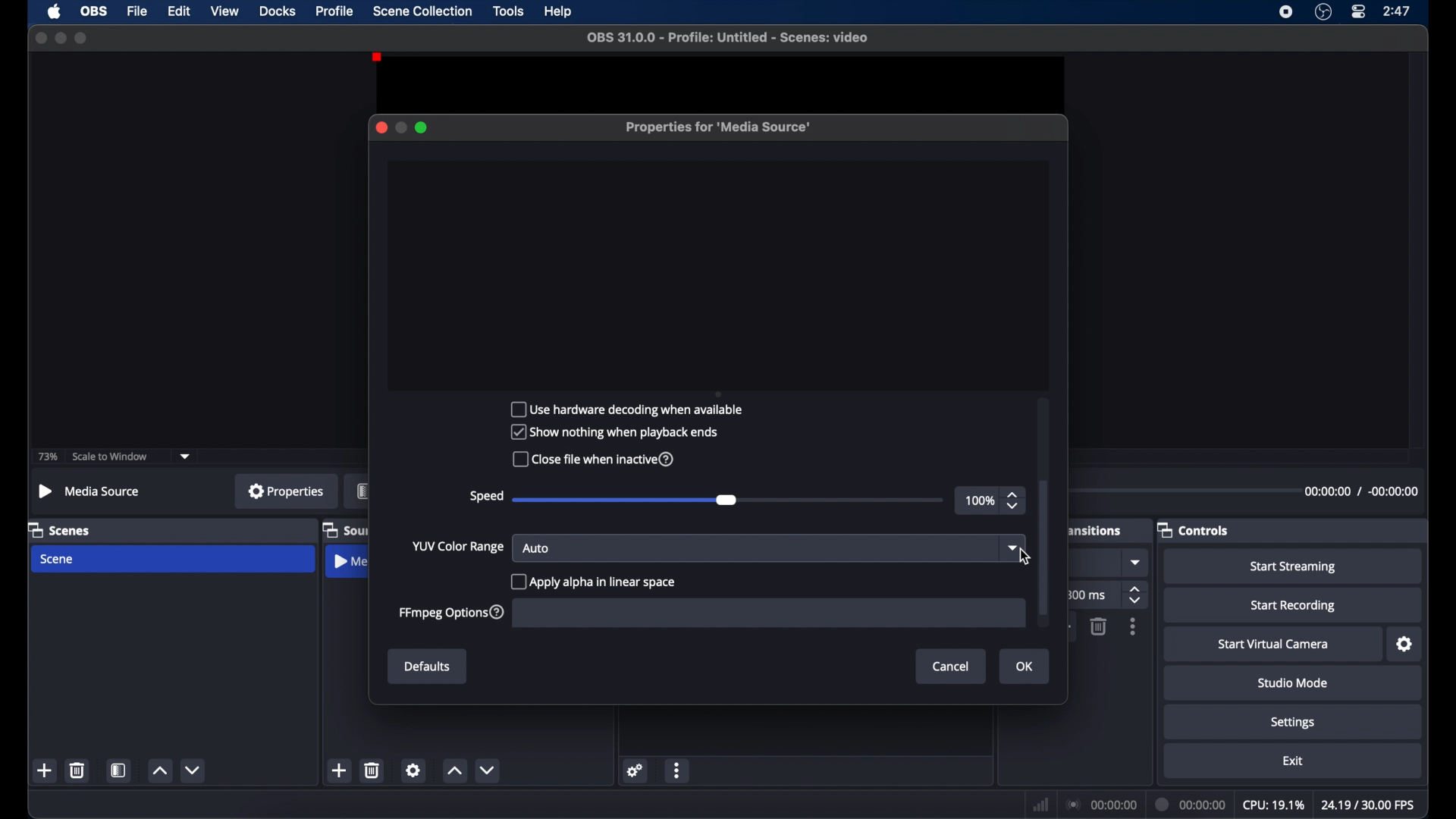 The width and height of the screenshot is (1456, 819). What do you see at coordinates (1191, 804) in the screenshot?
I see `duration` at bounding box center [1191, 804].